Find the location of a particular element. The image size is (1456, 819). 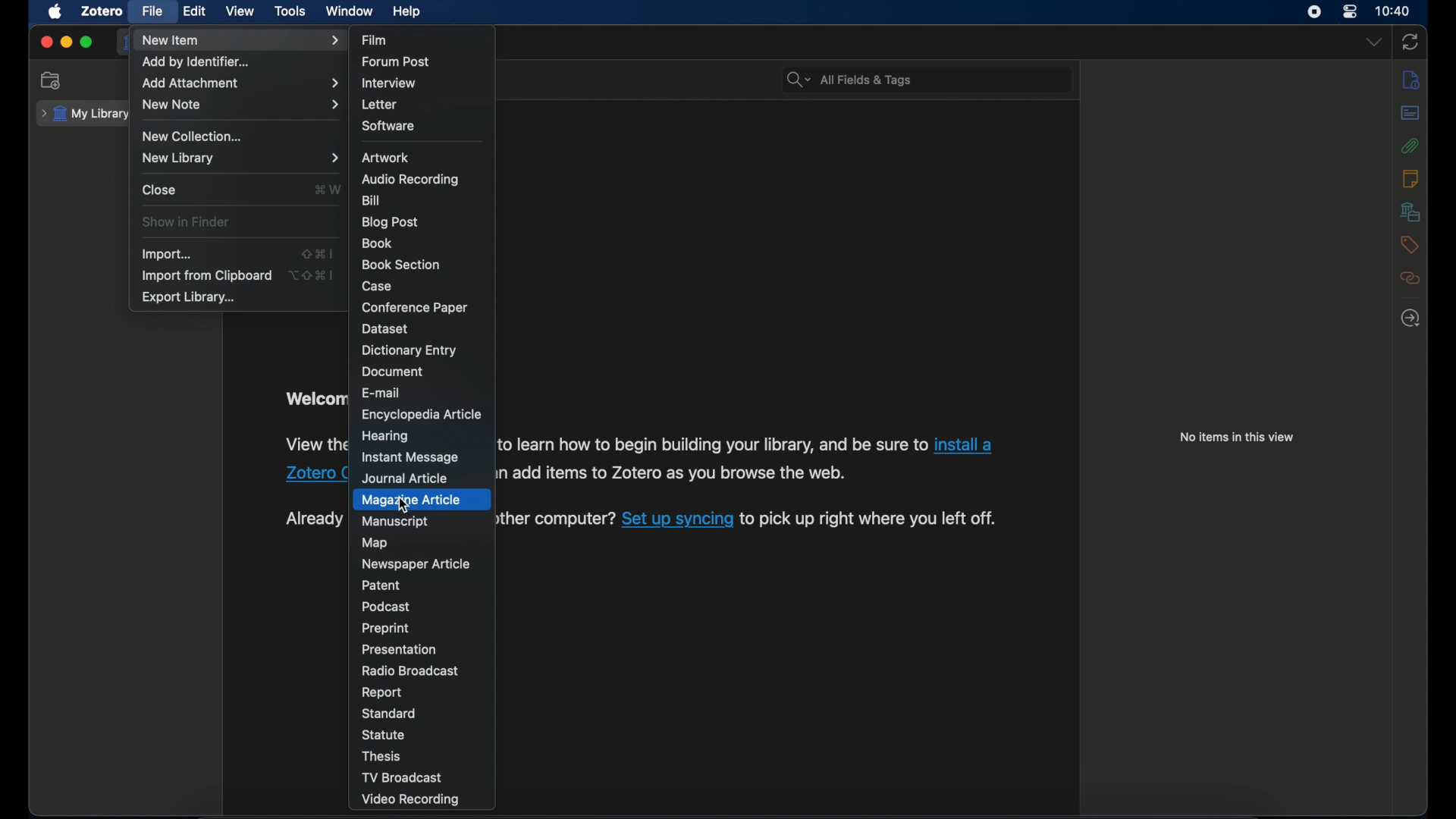

radio broadcast is located at coordinates (409, 670).